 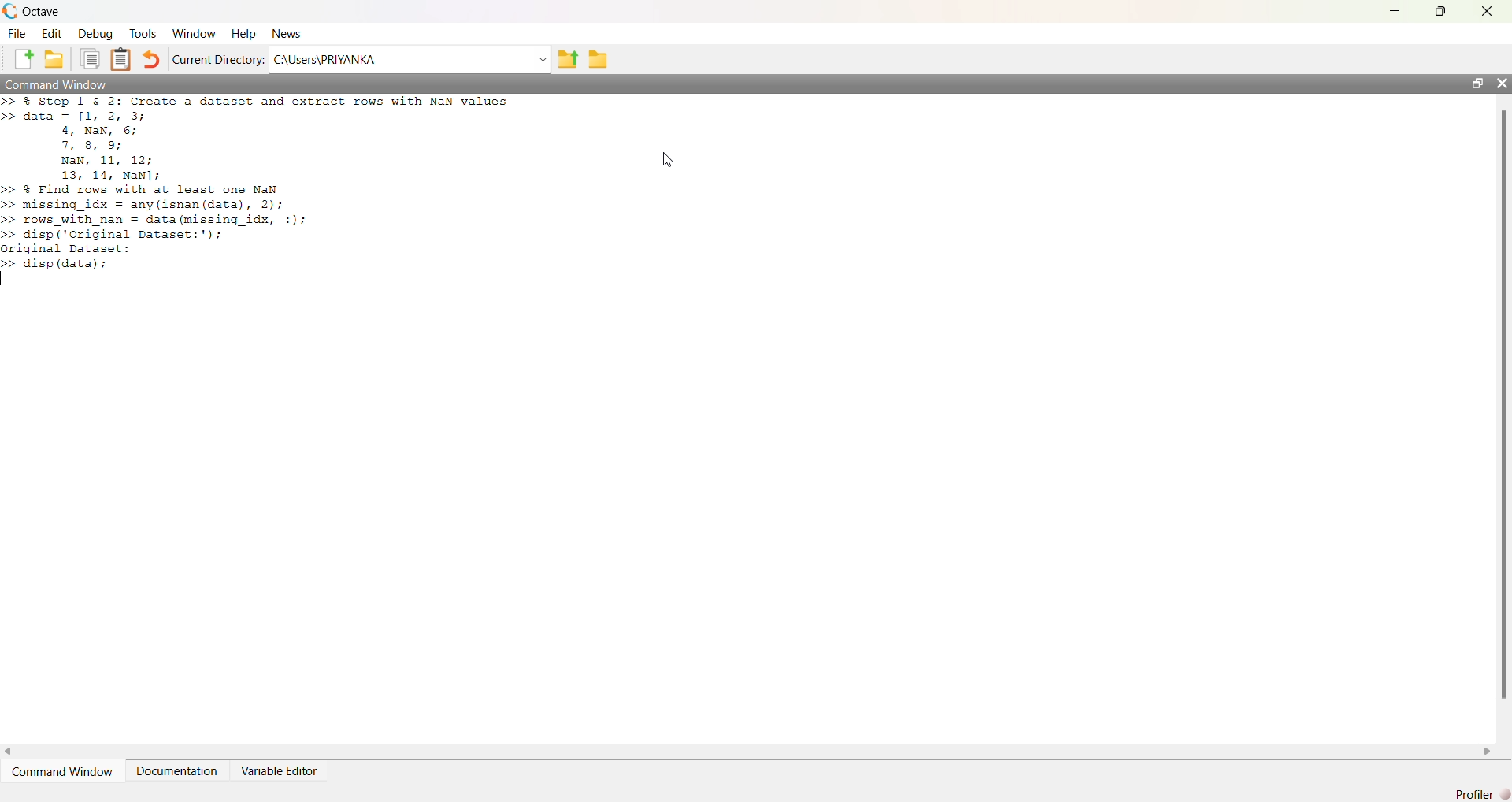 I want to click on Debug, so click(x=95, y=34).